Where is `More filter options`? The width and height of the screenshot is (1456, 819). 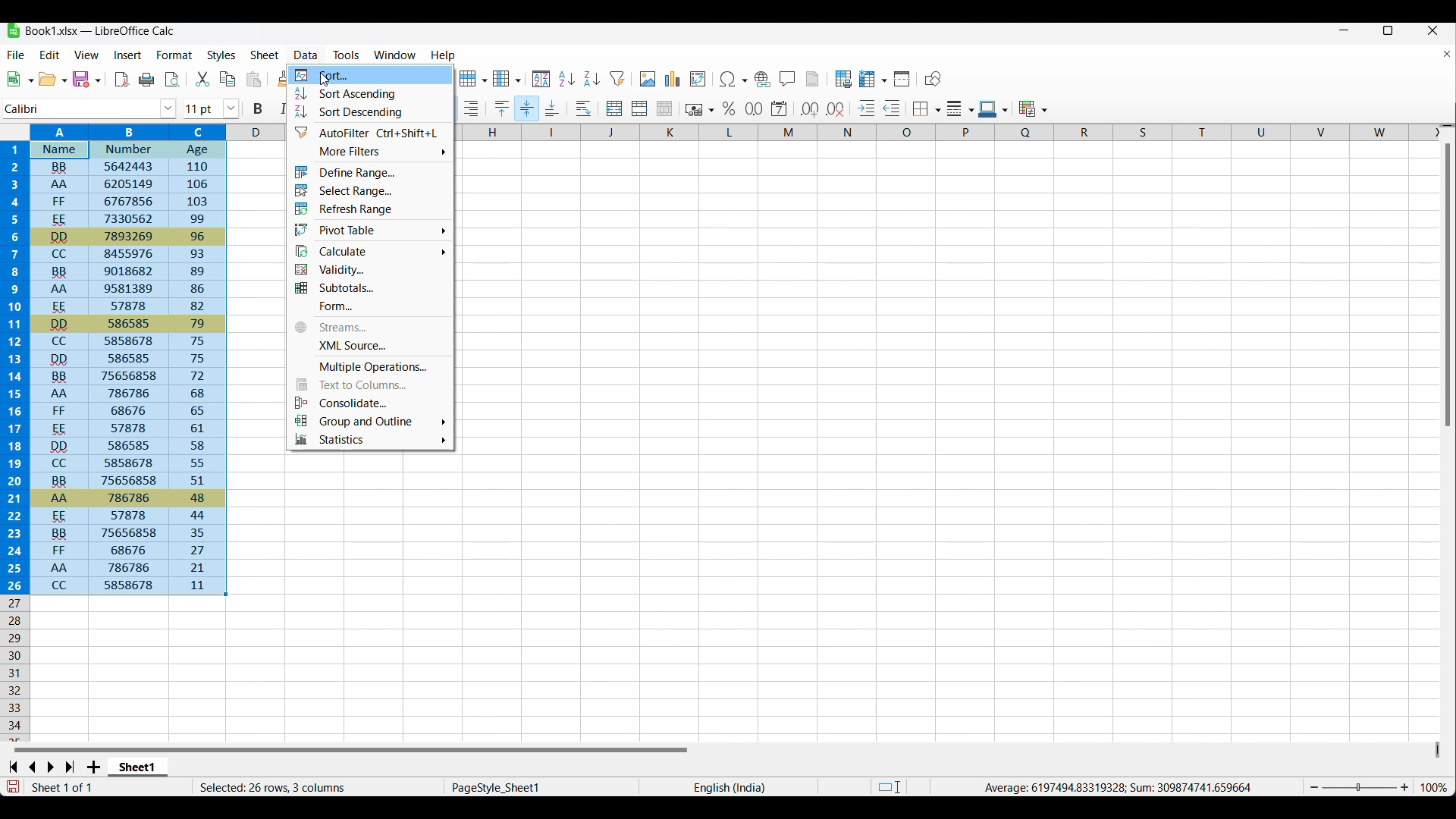 More filter options is located at coordinates (370, 152).